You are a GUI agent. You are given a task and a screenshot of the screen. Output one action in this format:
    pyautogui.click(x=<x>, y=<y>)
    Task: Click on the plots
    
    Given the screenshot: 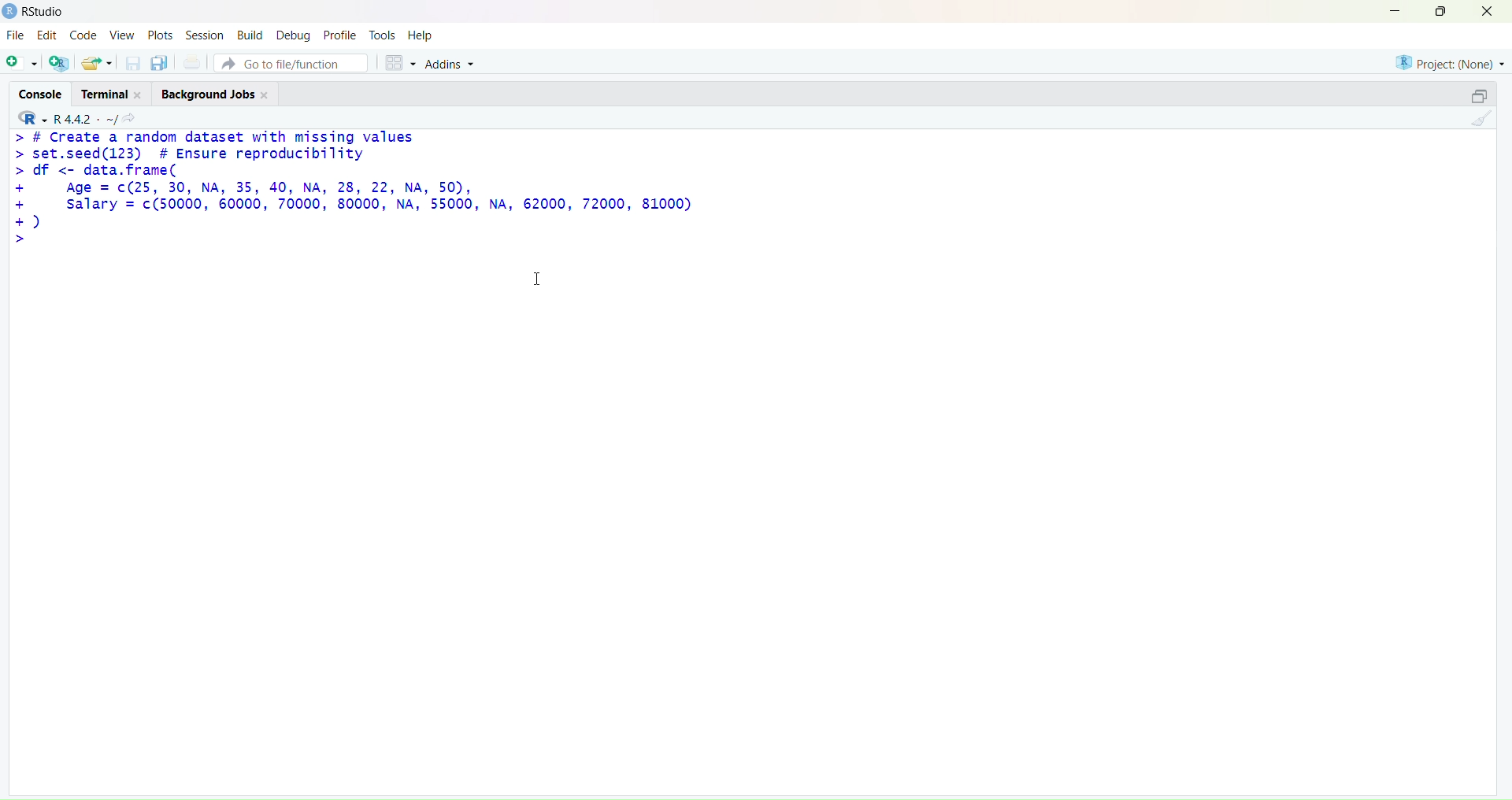 What is the action you would take?
    pyautogui.click(x=160, y=34)
    